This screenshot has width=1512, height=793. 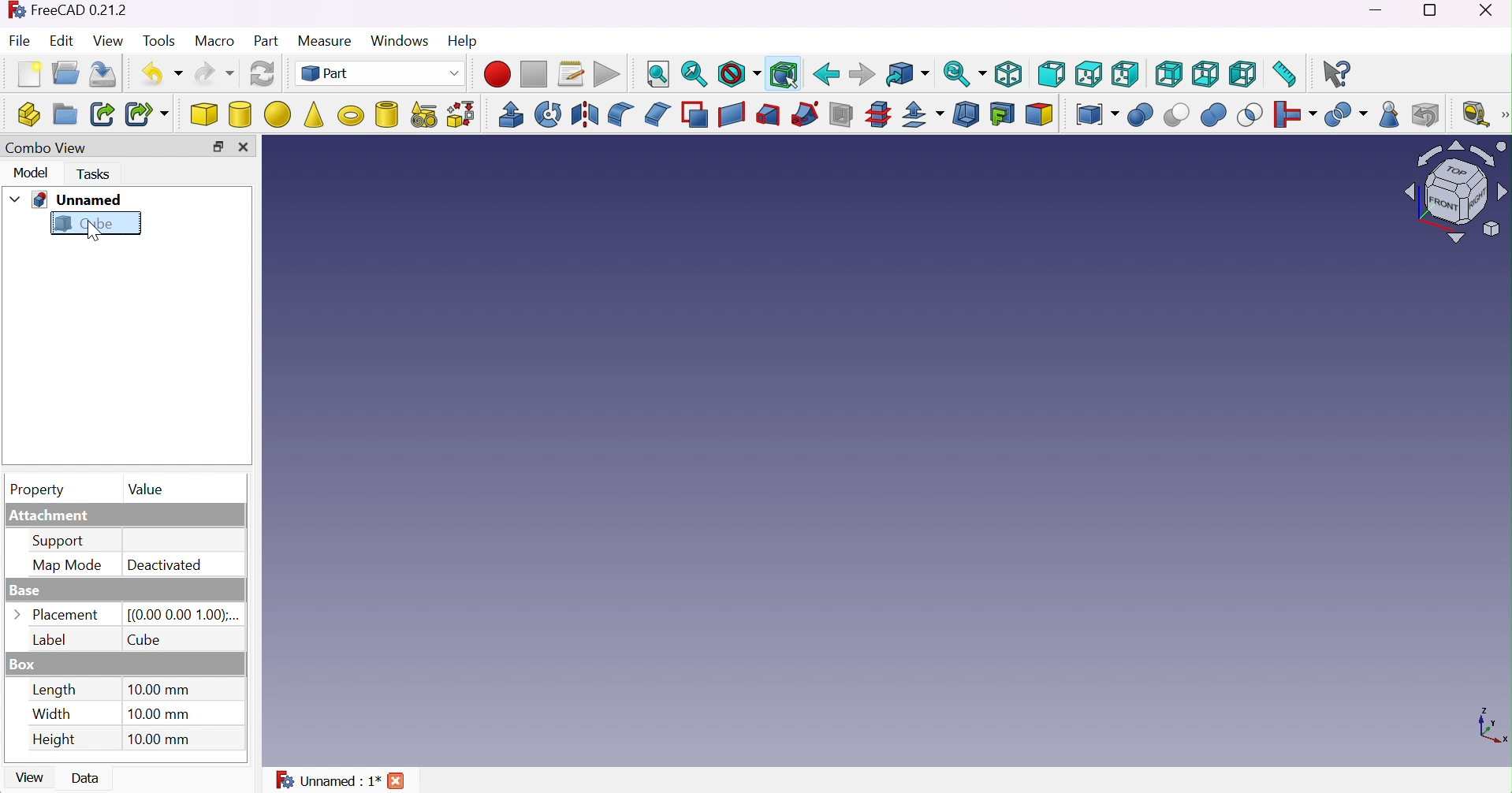 I want to click on Create group, so click(x=67, y=112).